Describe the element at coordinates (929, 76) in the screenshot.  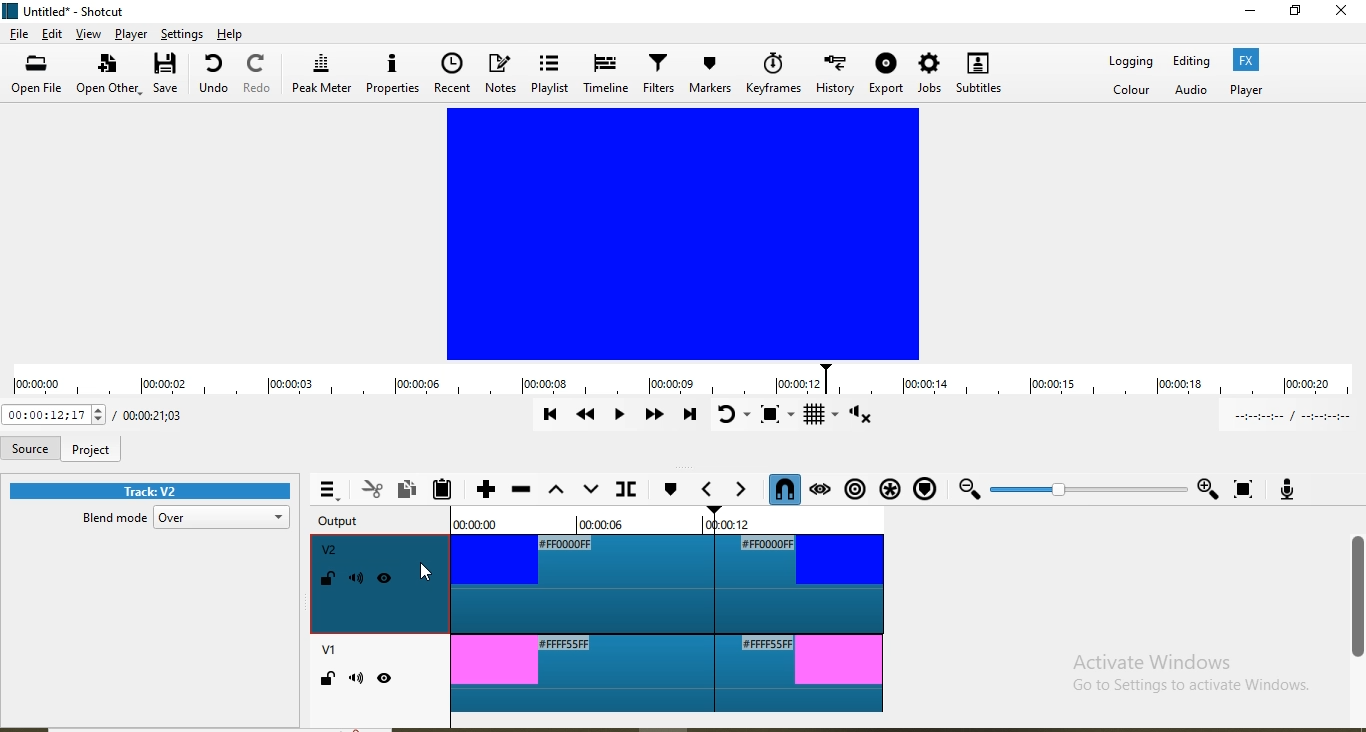
I see `Jobs` at that location.